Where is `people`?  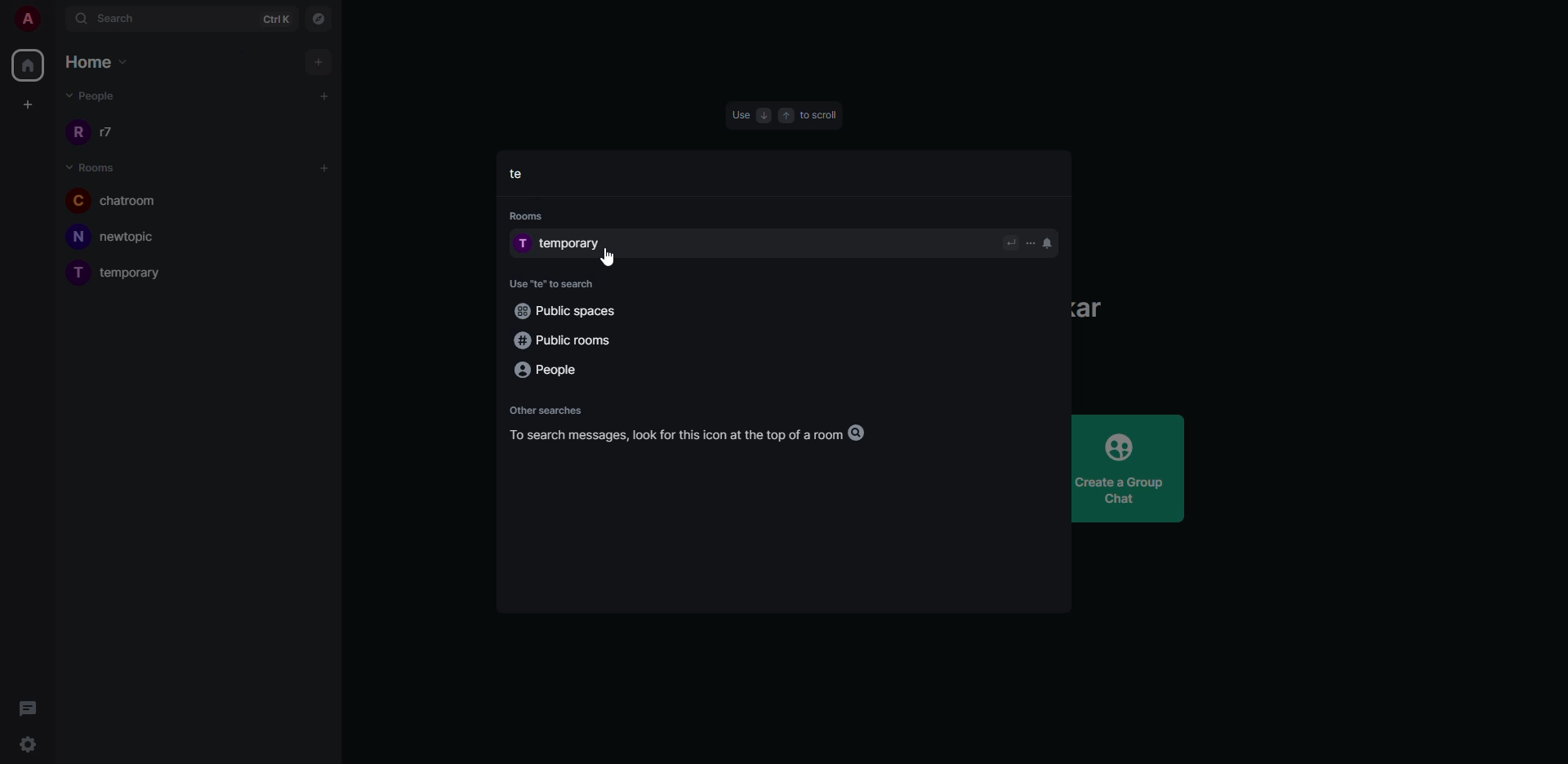
people is located at coordinates (91, 95).